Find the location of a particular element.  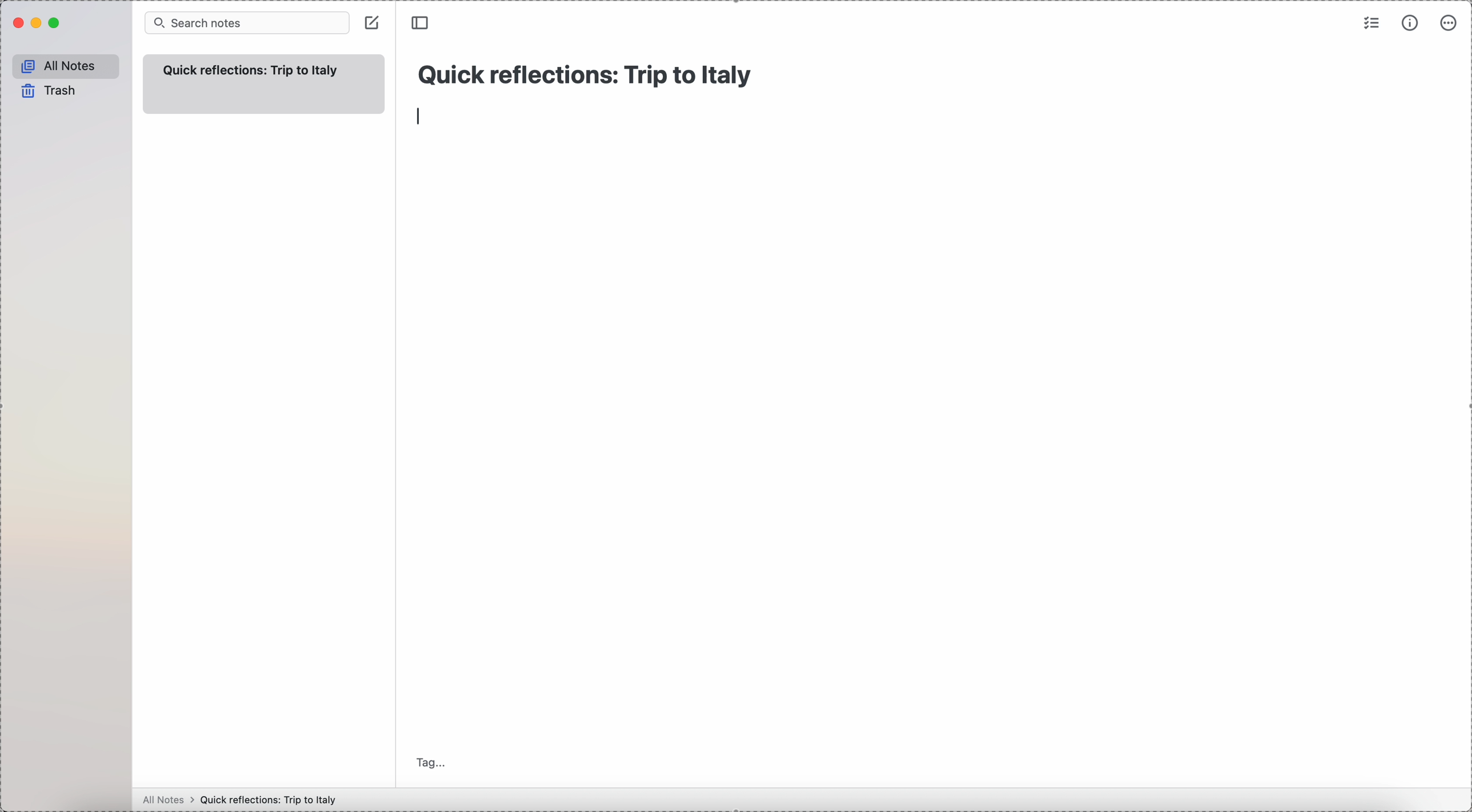

quick refelection trip to italy is located at coordinates (253, 70).